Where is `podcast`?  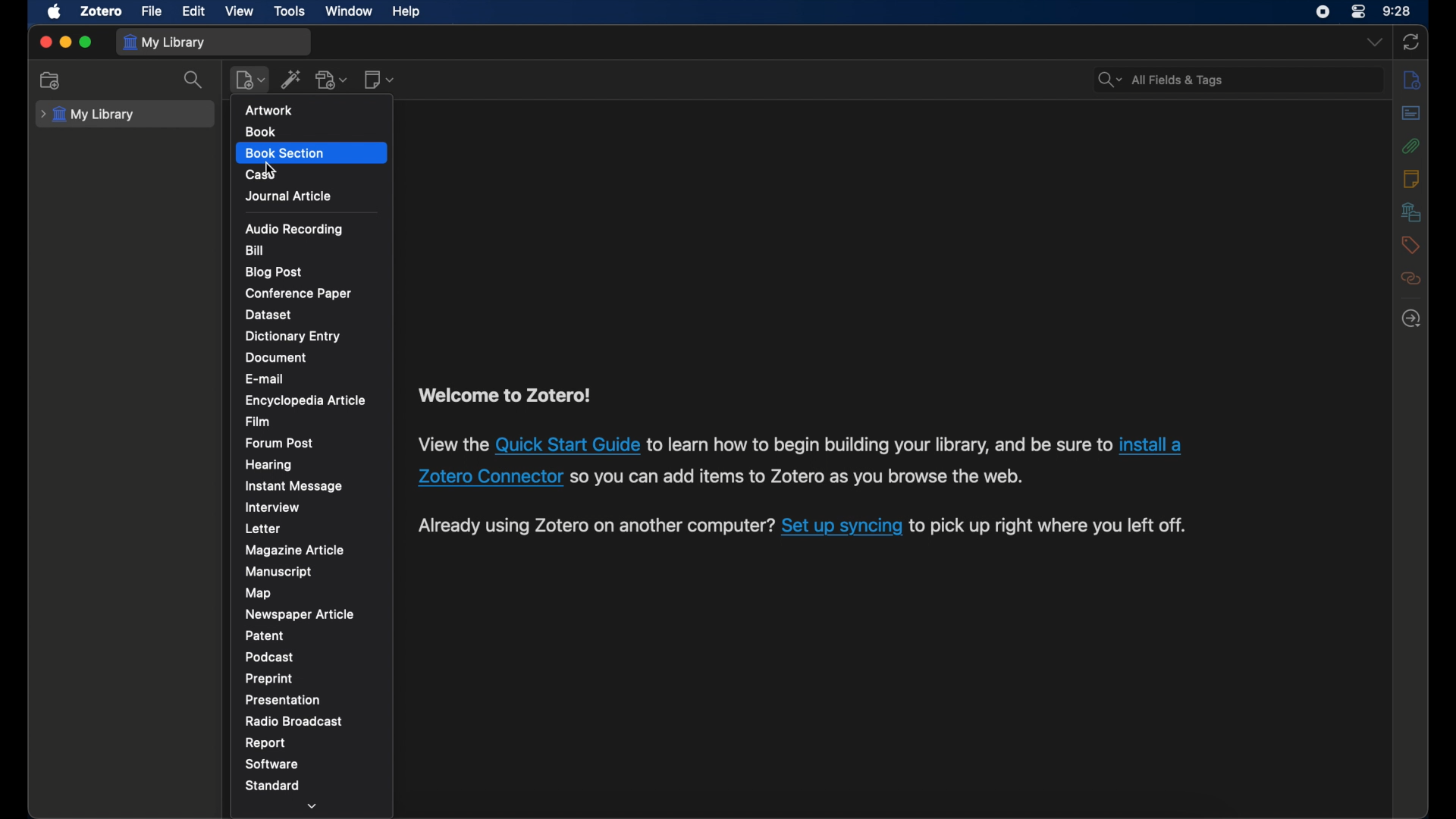
podcast is located at coordinates (269, 657).